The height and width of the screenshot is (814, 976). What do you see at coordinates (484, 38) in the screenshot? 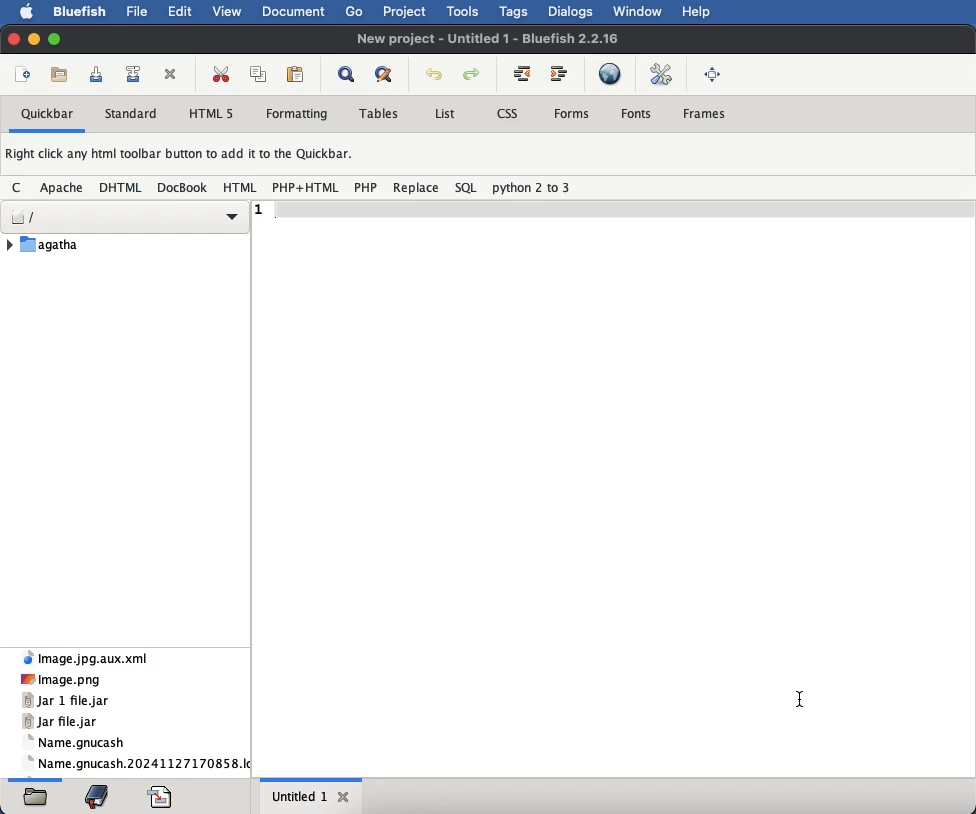
I see `New project - Untitled 1 - Bluefish 2.2.16` at bounding box center [484, 38].